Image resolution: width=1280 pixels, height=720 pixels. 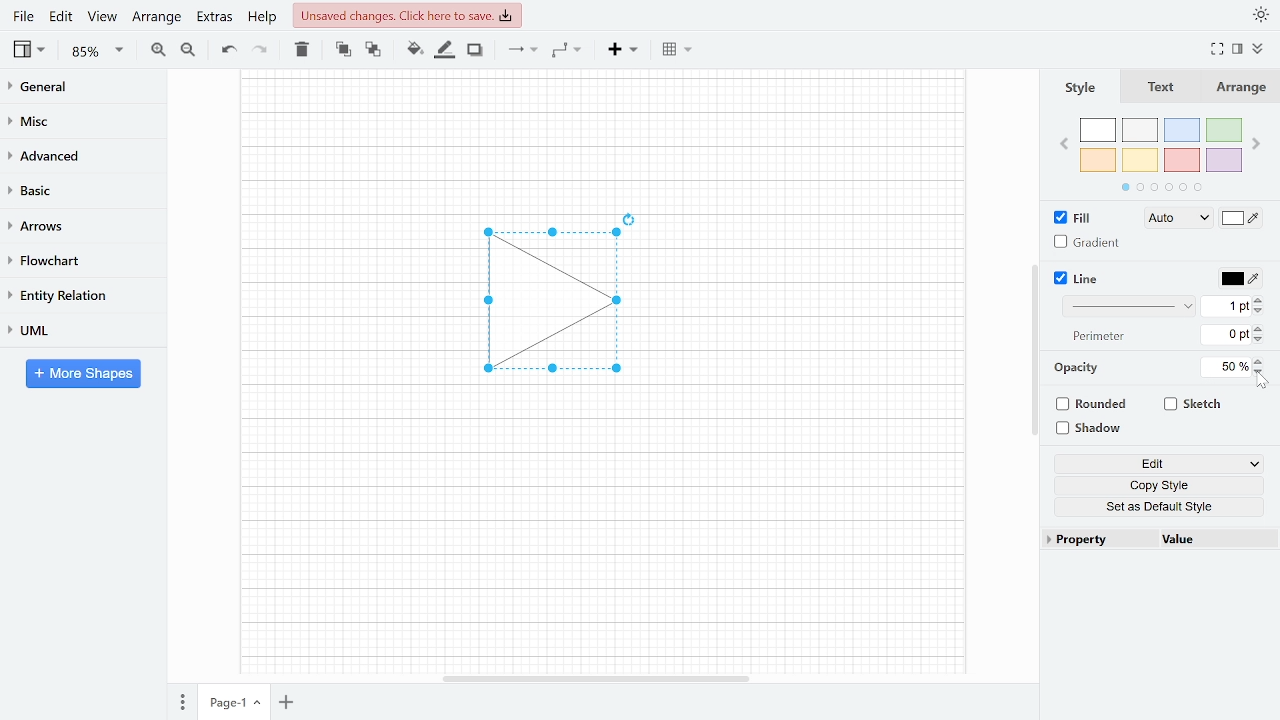 What do you see at coordinates (300, 49) in the screenshot?
I see `Delete` at bounding box center [300, 49].